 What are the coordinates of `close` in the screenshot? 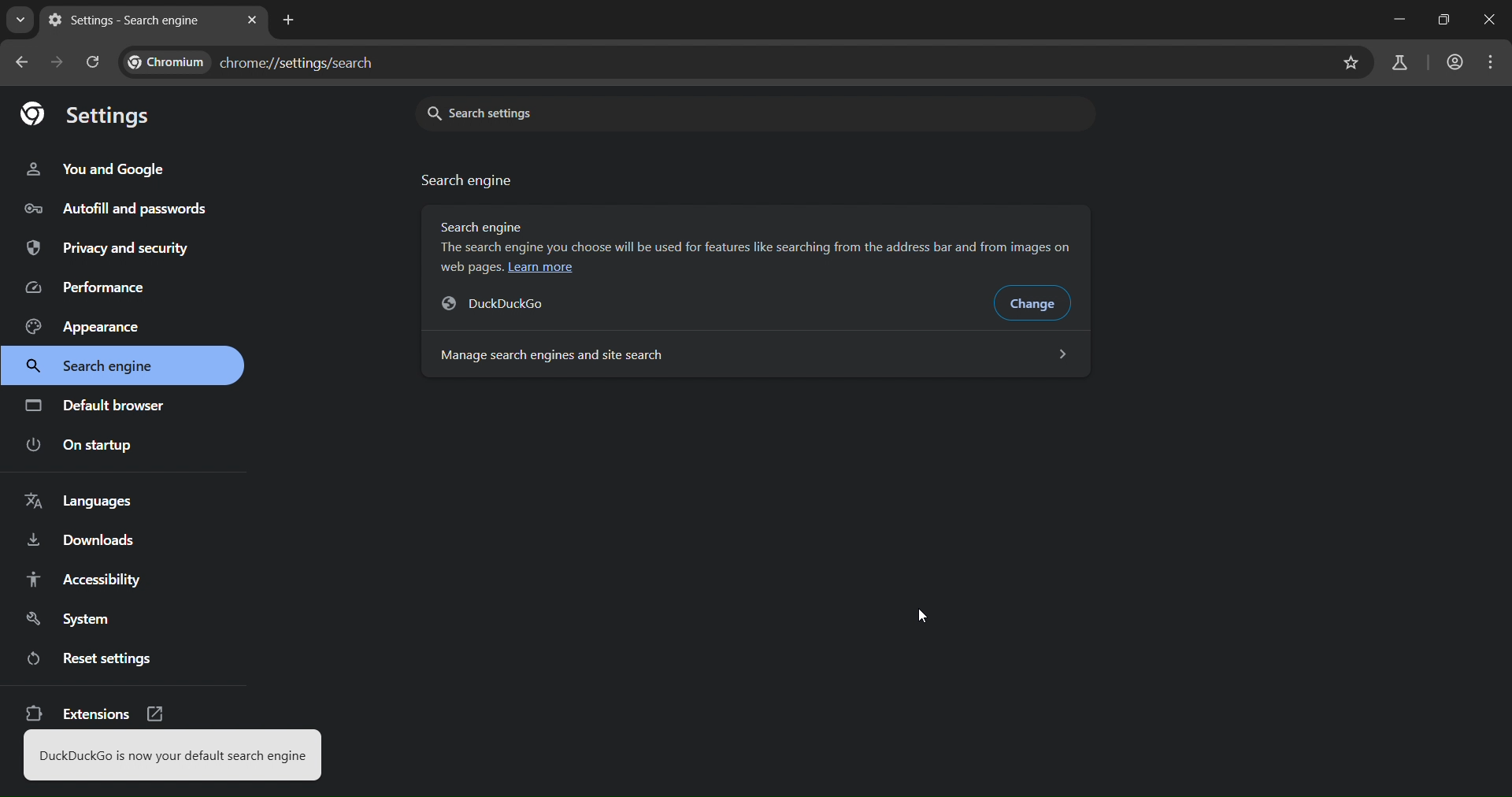 It's located at (1492, 19).